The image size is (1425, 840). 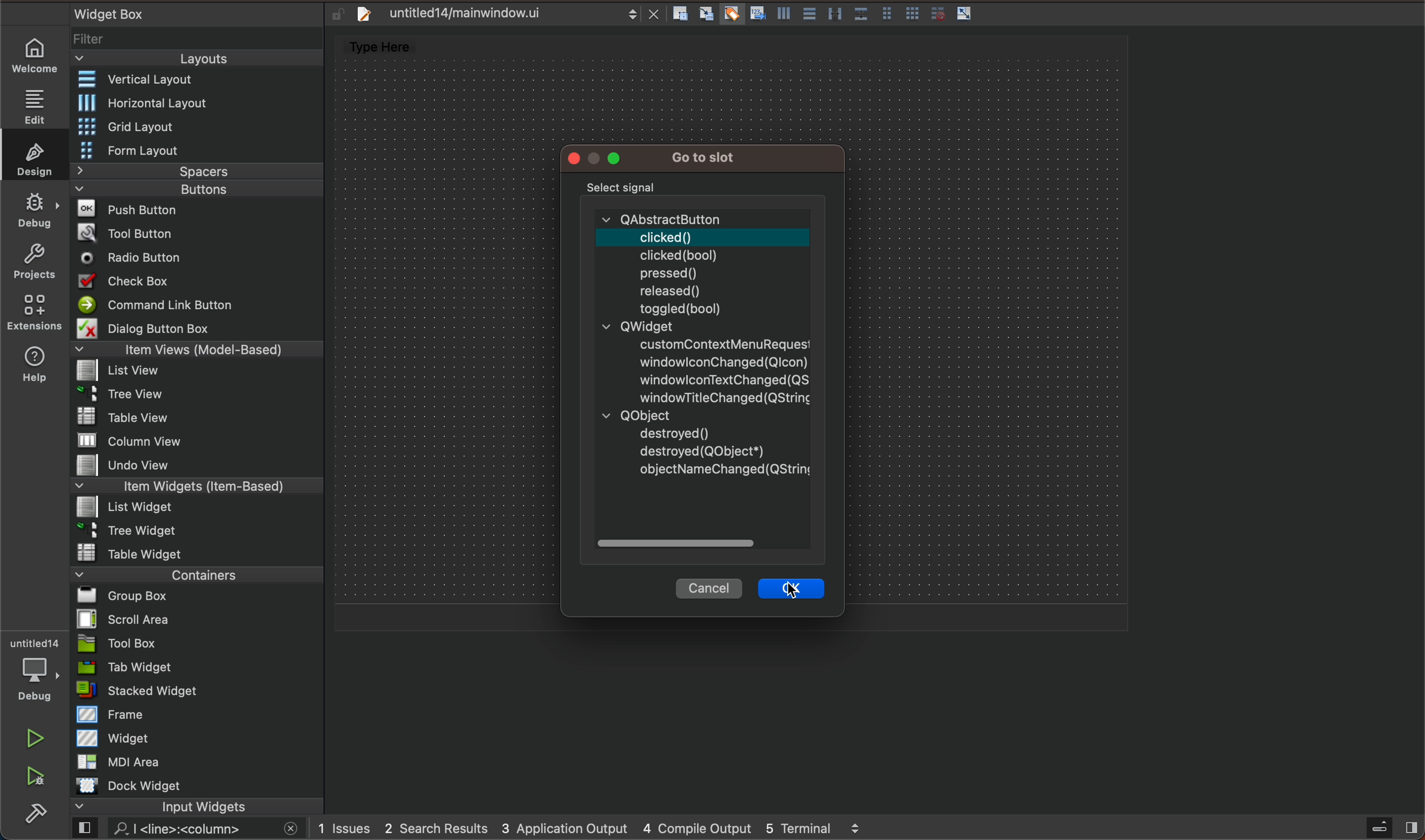 What do you see at coordinates (759, 12) in the screenshot?
I see `` at bounding box center [759, 12].